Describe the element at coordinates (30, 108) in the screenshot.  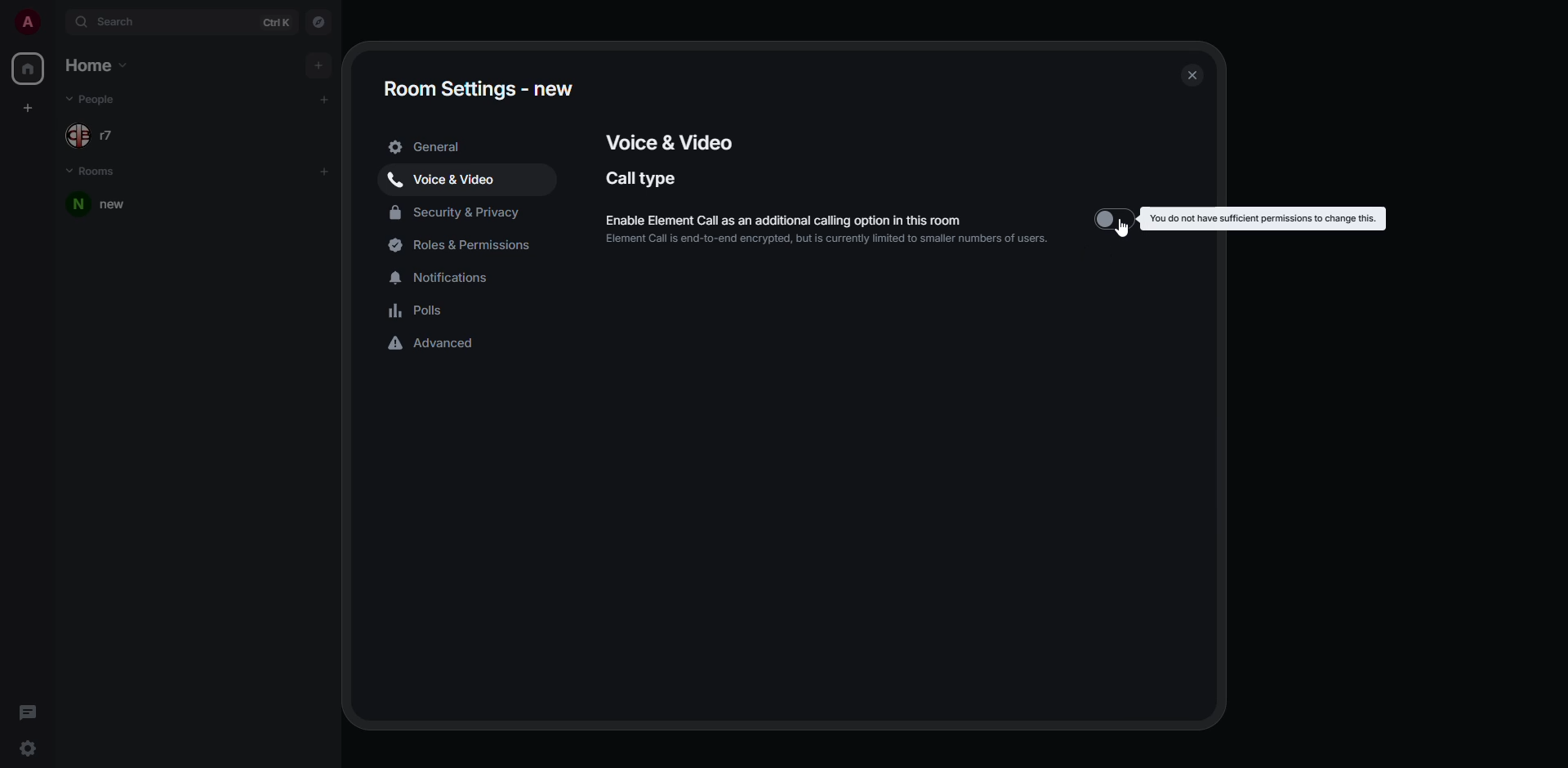
I see `create space` at that location.